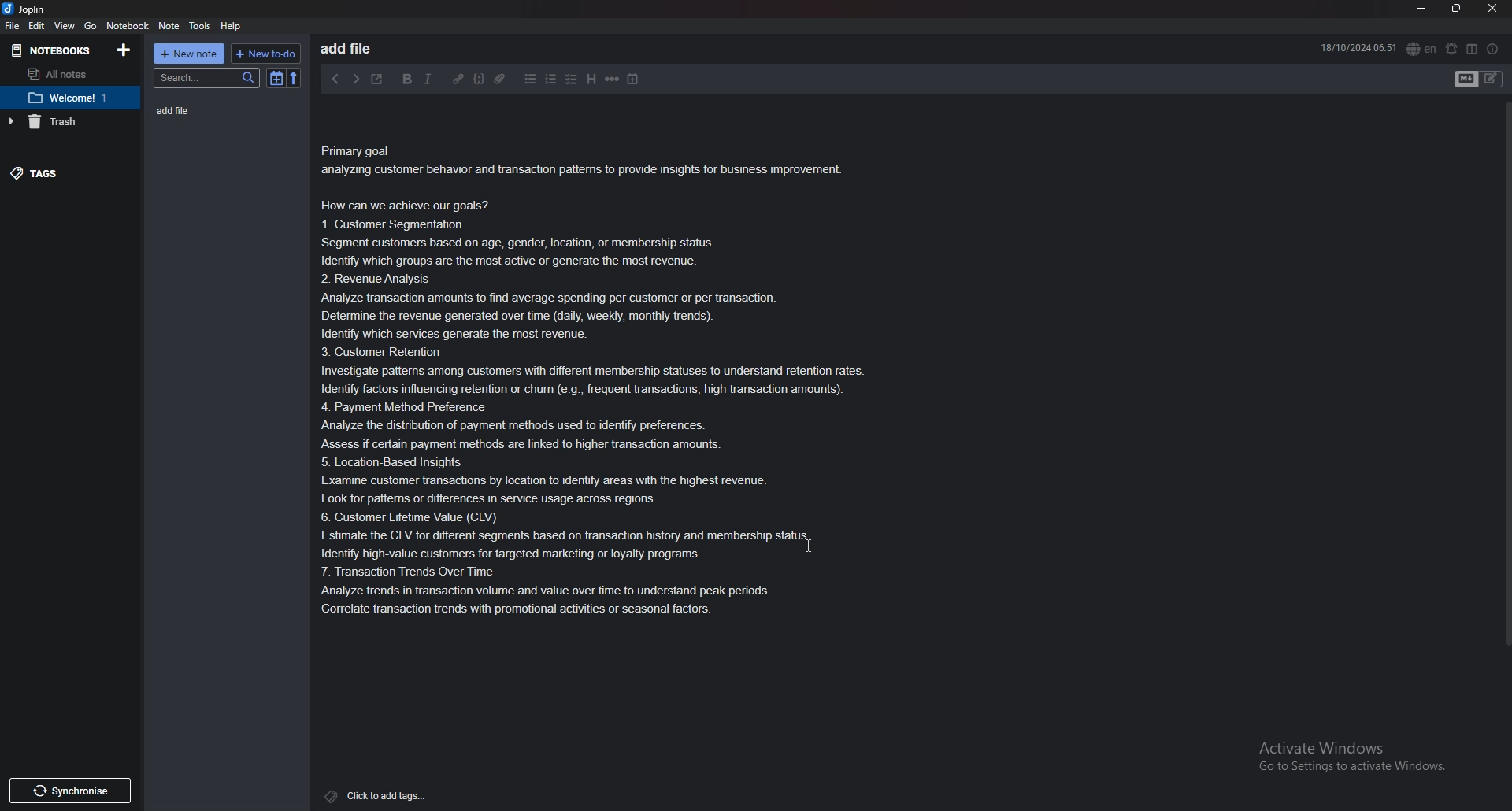 Image resolution: width=1512 pixels, height=811 pixels. What do you see at coordinates (170, 26) in the screenshot?
I see `Note` at bounding box center [170, 26].